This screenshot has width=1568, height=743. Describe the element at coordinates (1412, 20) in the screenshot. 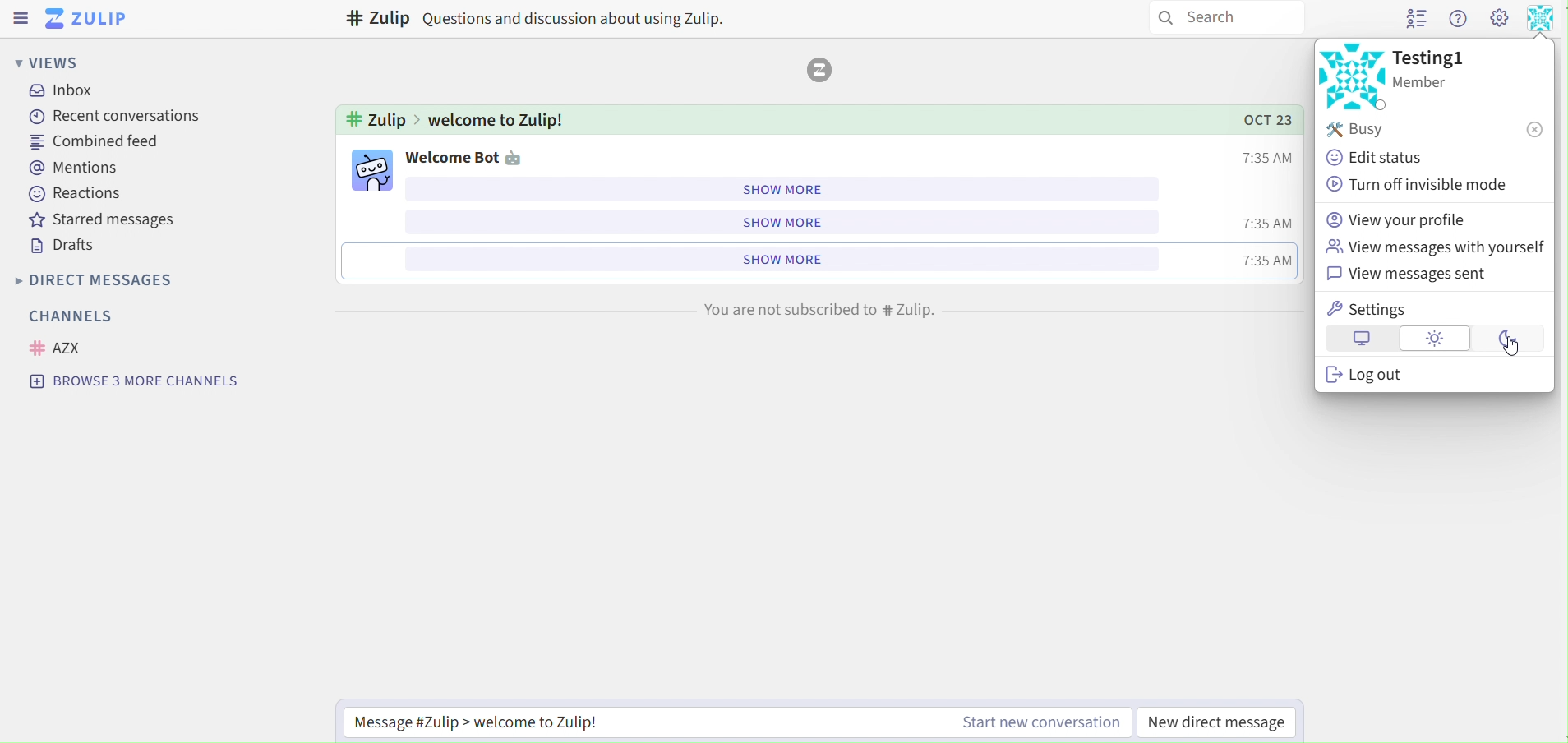

I see `hide user list` at that location.